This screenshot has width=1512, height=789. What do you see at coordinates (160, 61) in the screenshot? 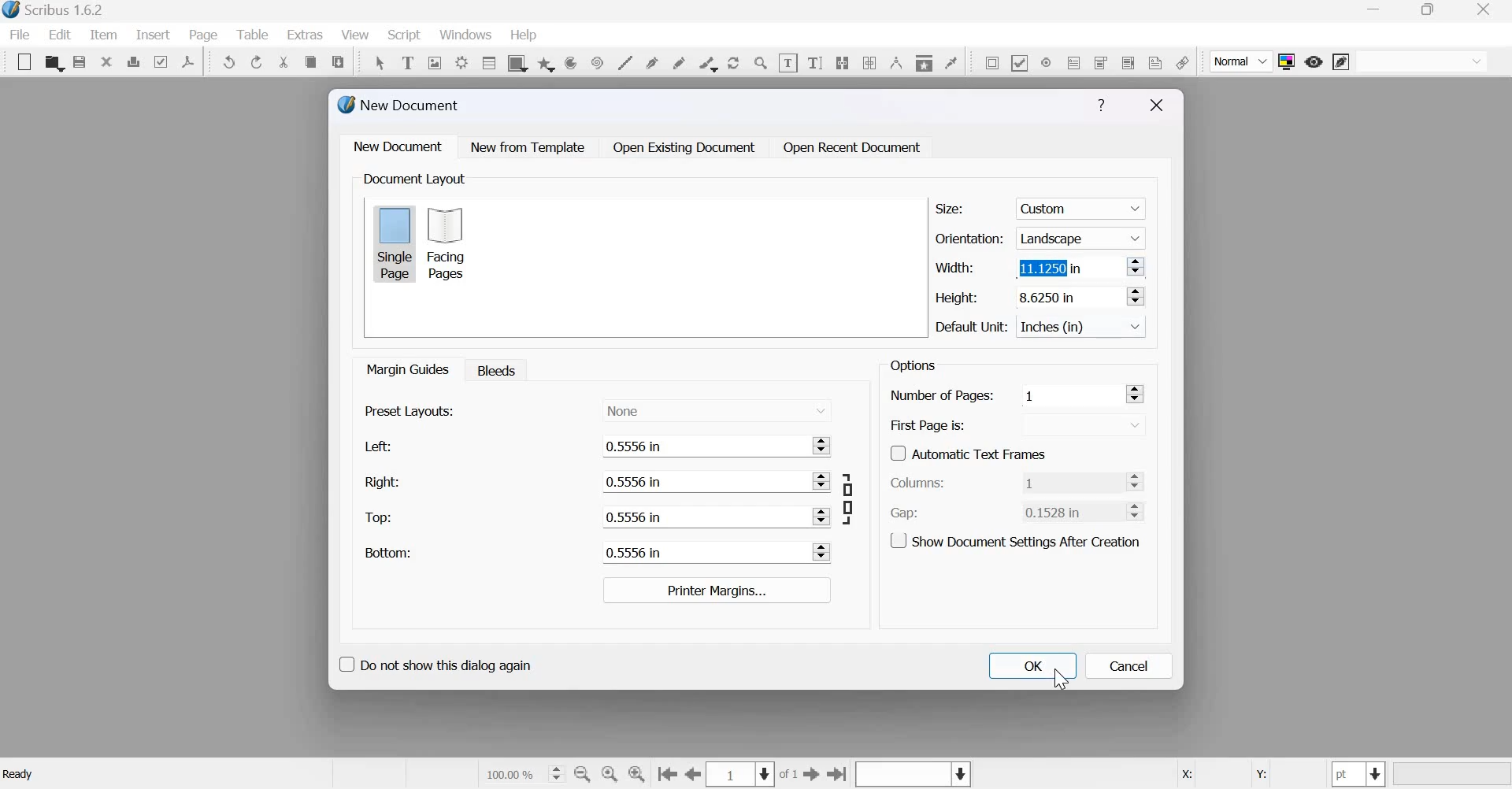
I see `Preflight verifier` at bounding box center [160, 61].